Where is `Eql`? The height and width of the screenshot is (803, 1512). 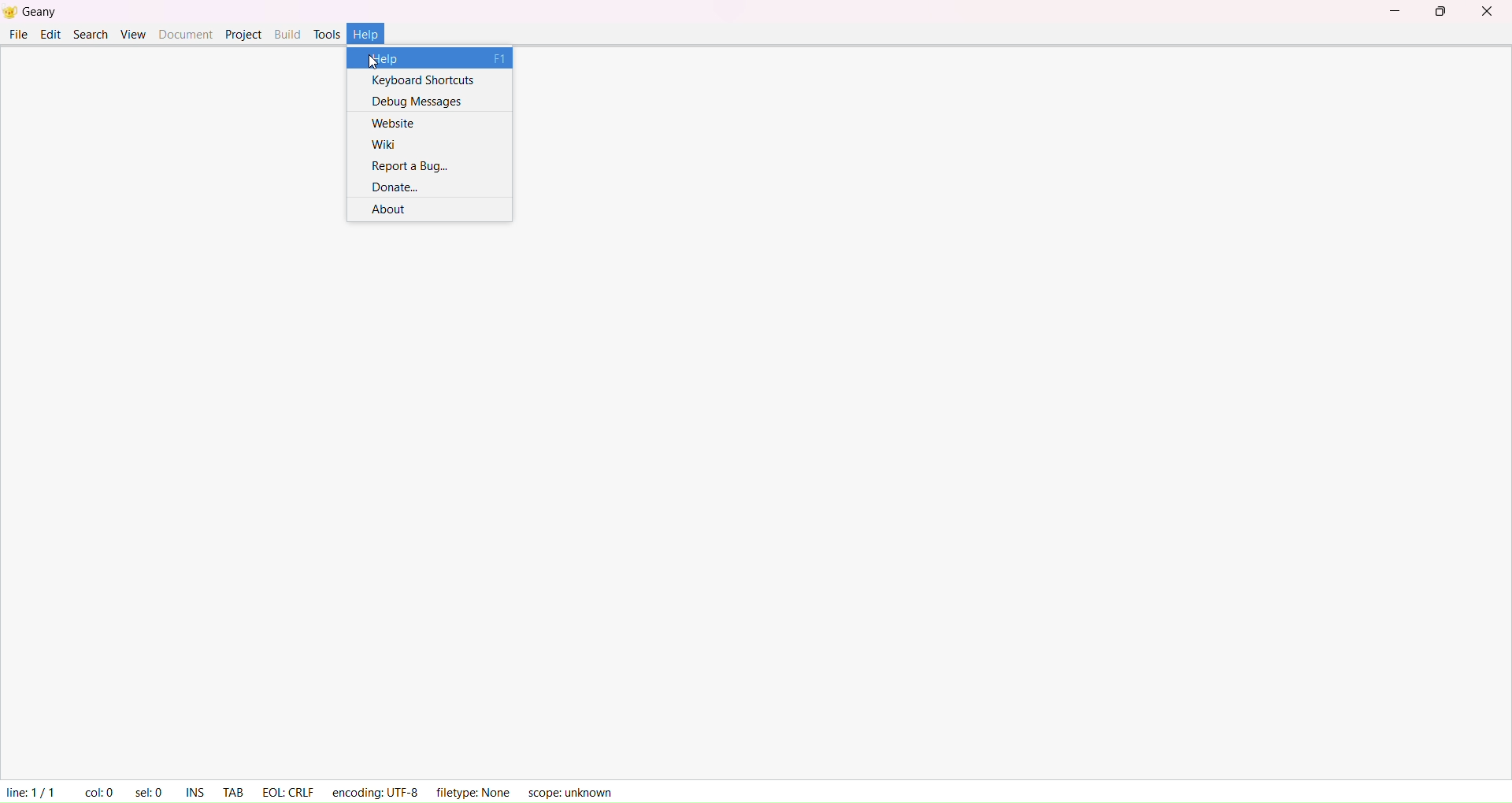
Eql is located at coordinates (287, 786).